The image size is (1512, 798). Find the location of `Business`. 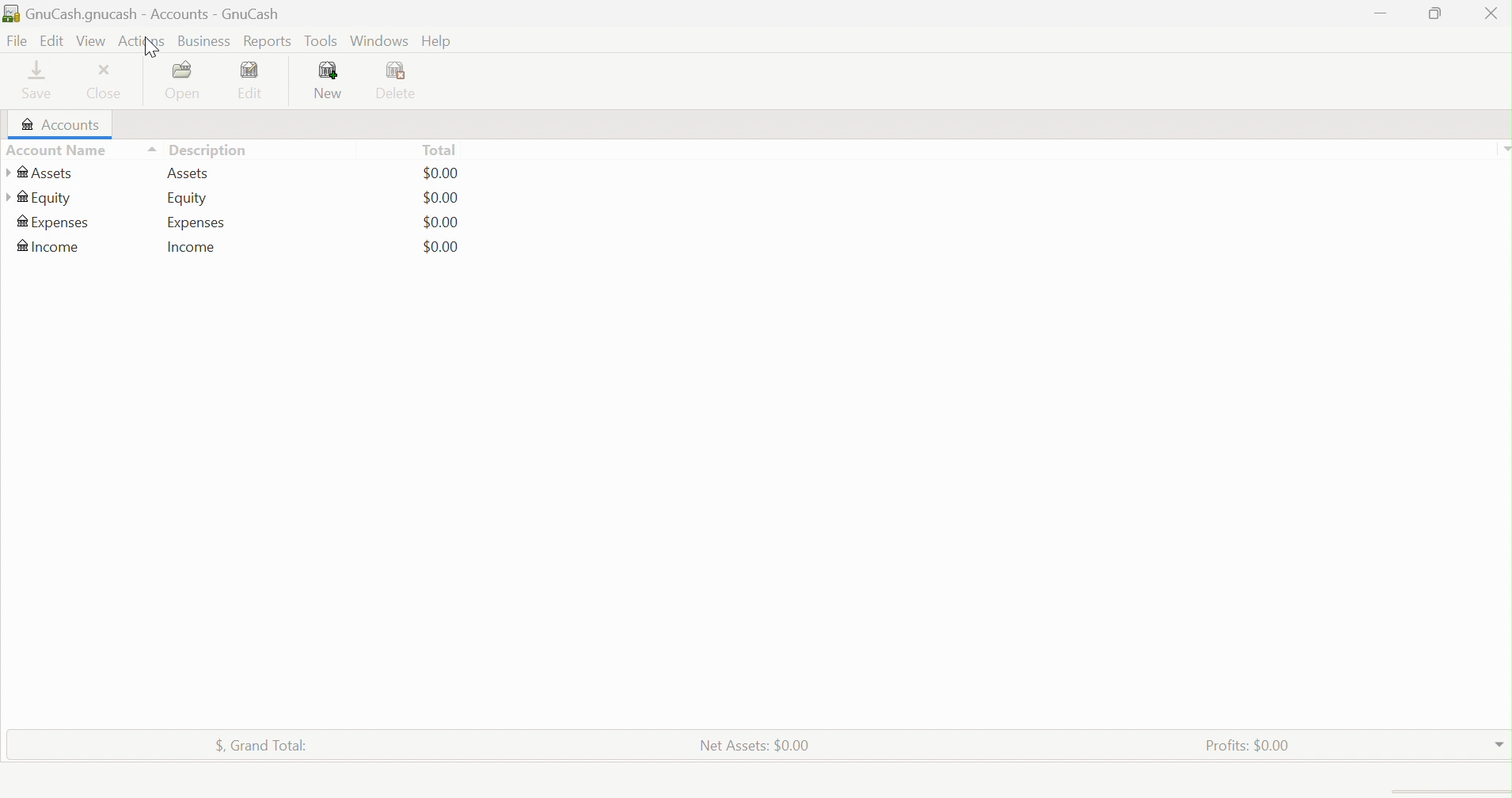

Business is located at coordinates (205, 42).